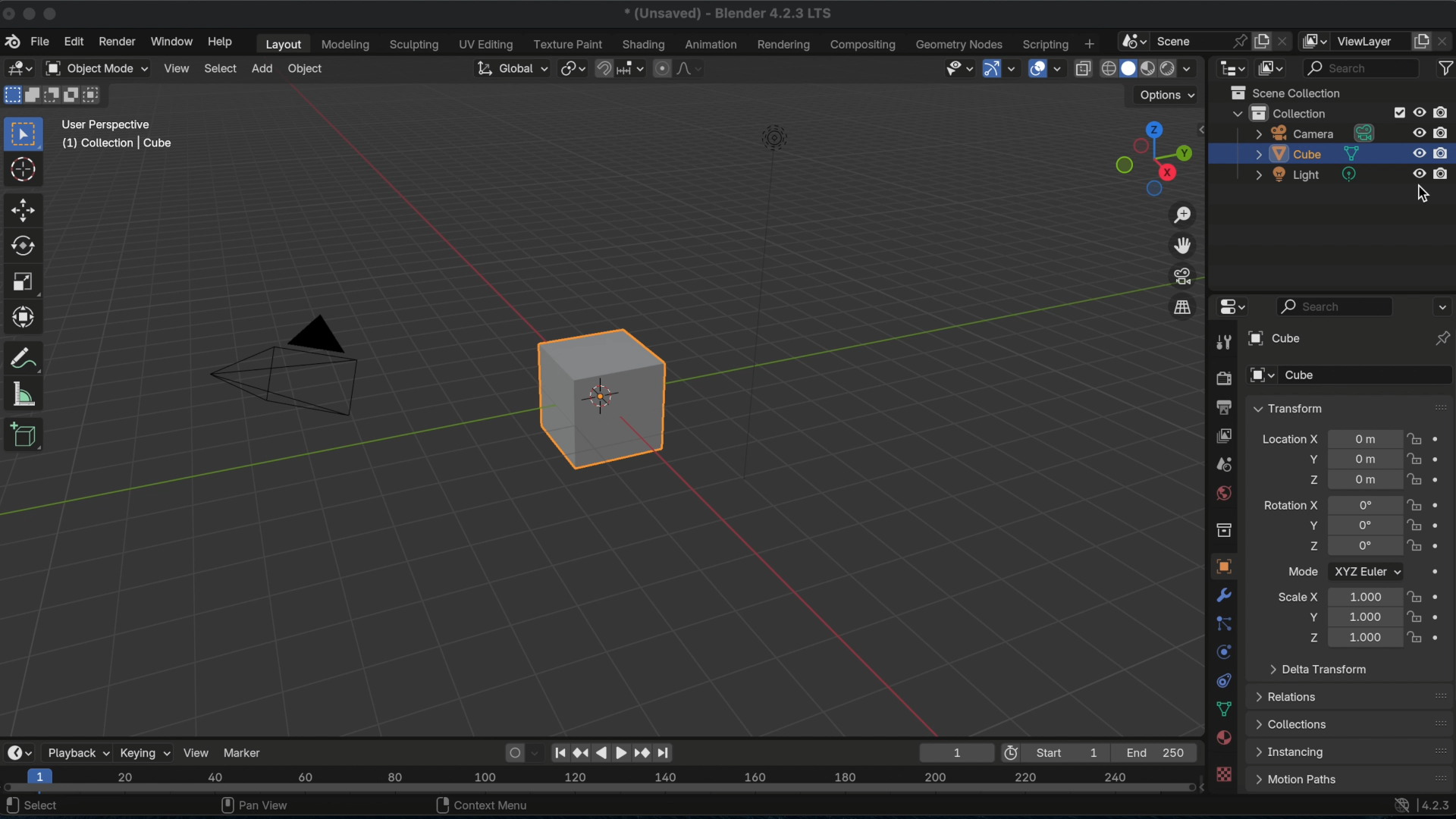 Image resolution: width=1456 pixels, height=819 pixels. I want to click on scale Y, so click(1309, 617).